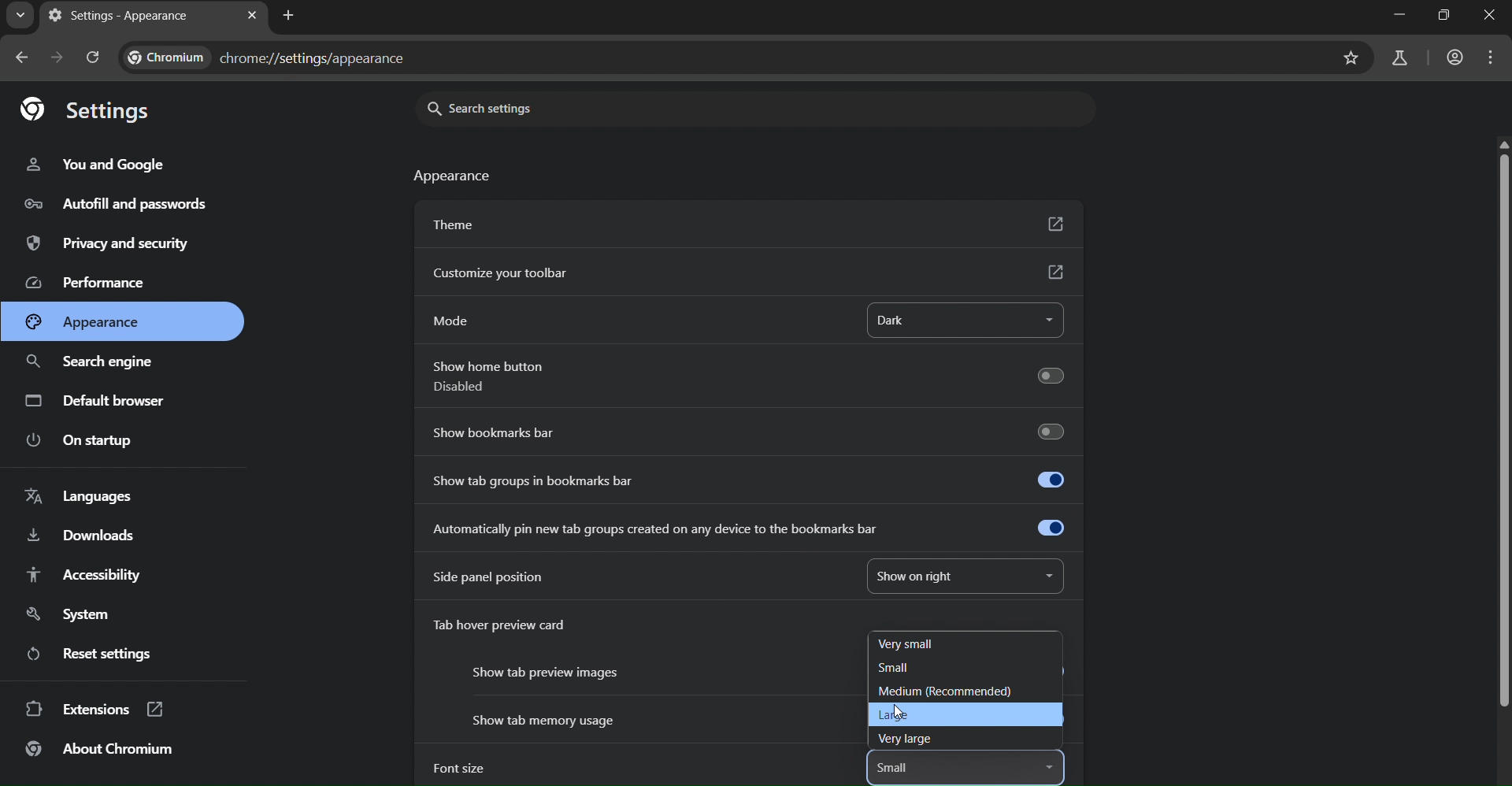 The image size is (1512, 786). Describe the element at coordinates (547, 672) in the screenshot. I see `show tab preview images` at that location.